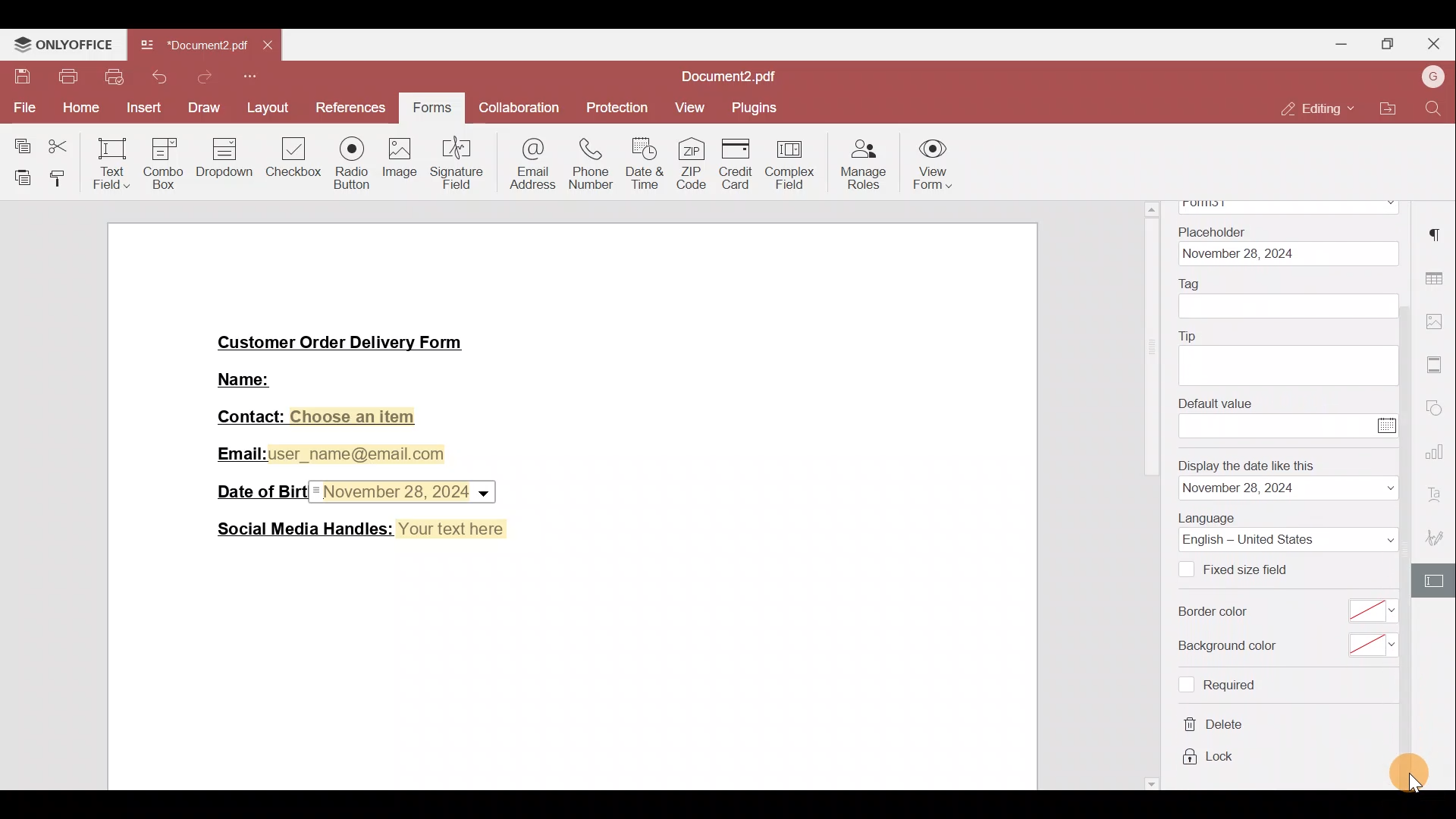 Image resolution: width=1456 pixels, height=819 pixels. Describe the element at coordinates (199, 81) in the screenshot. I see `Redo` at that location.